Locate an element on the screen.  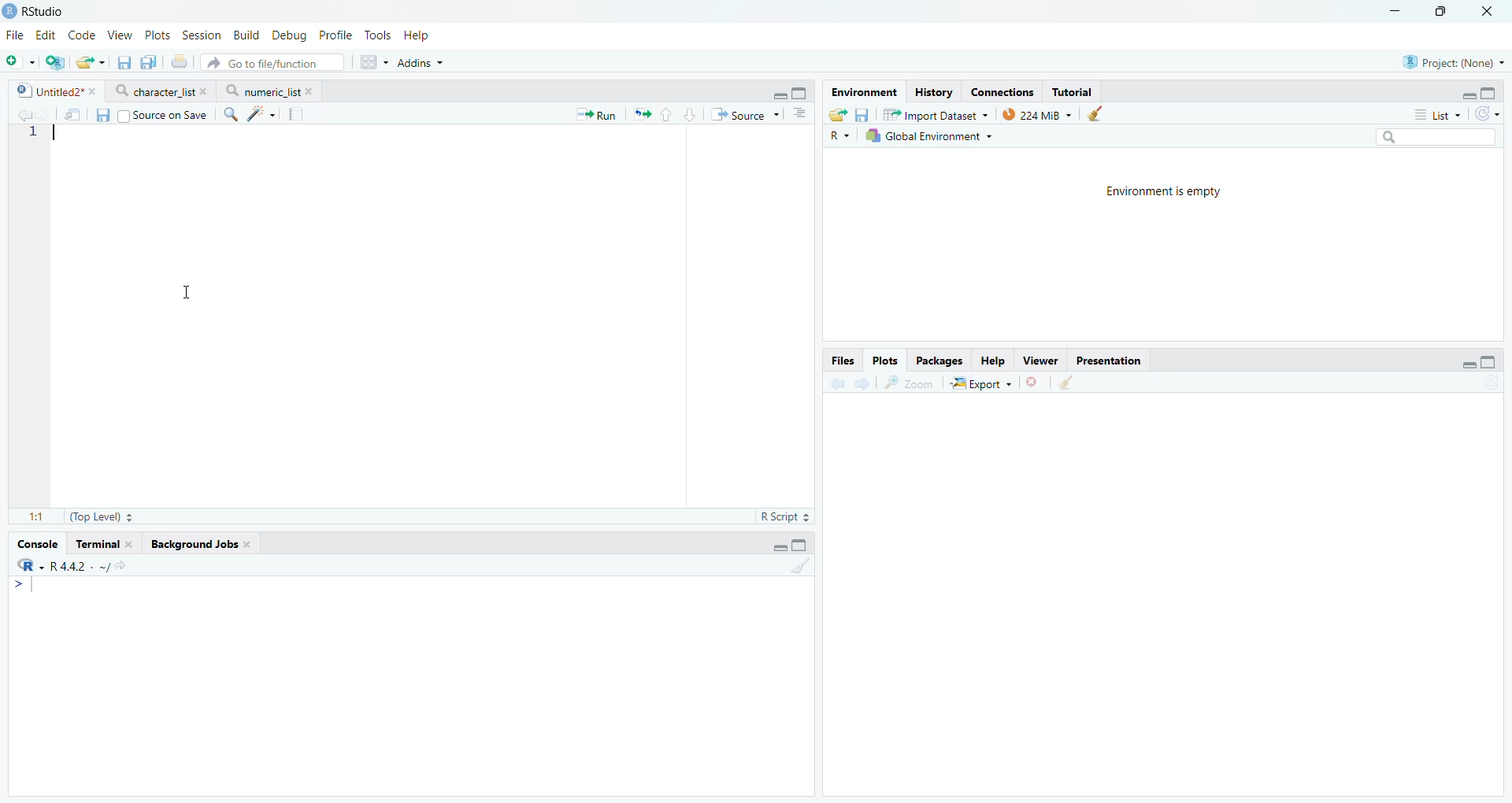
Tools is located at coordinates (378, 35).